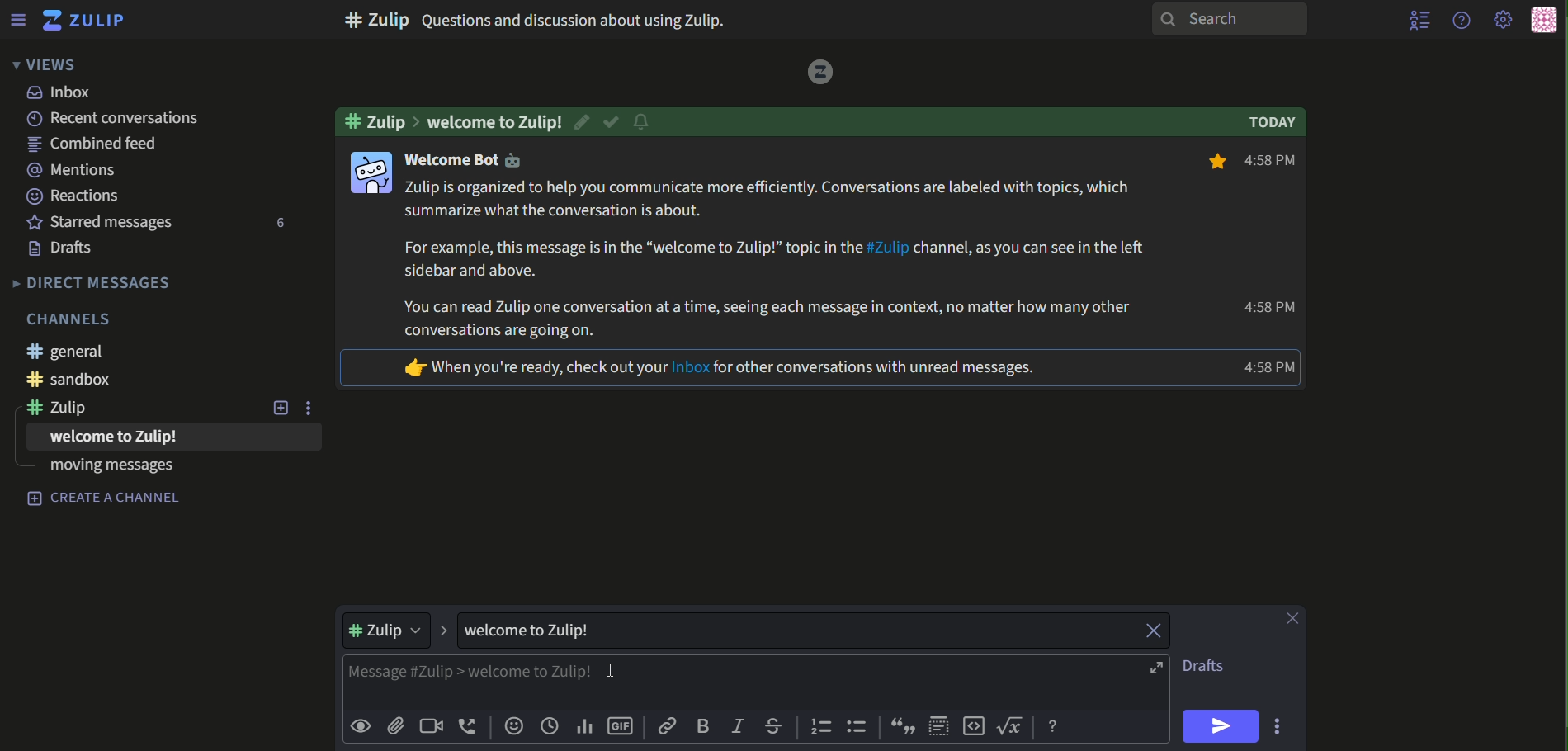 The width and height of the screenshot is (1568, 751). I want to click on logo and title, so click(84, 21).